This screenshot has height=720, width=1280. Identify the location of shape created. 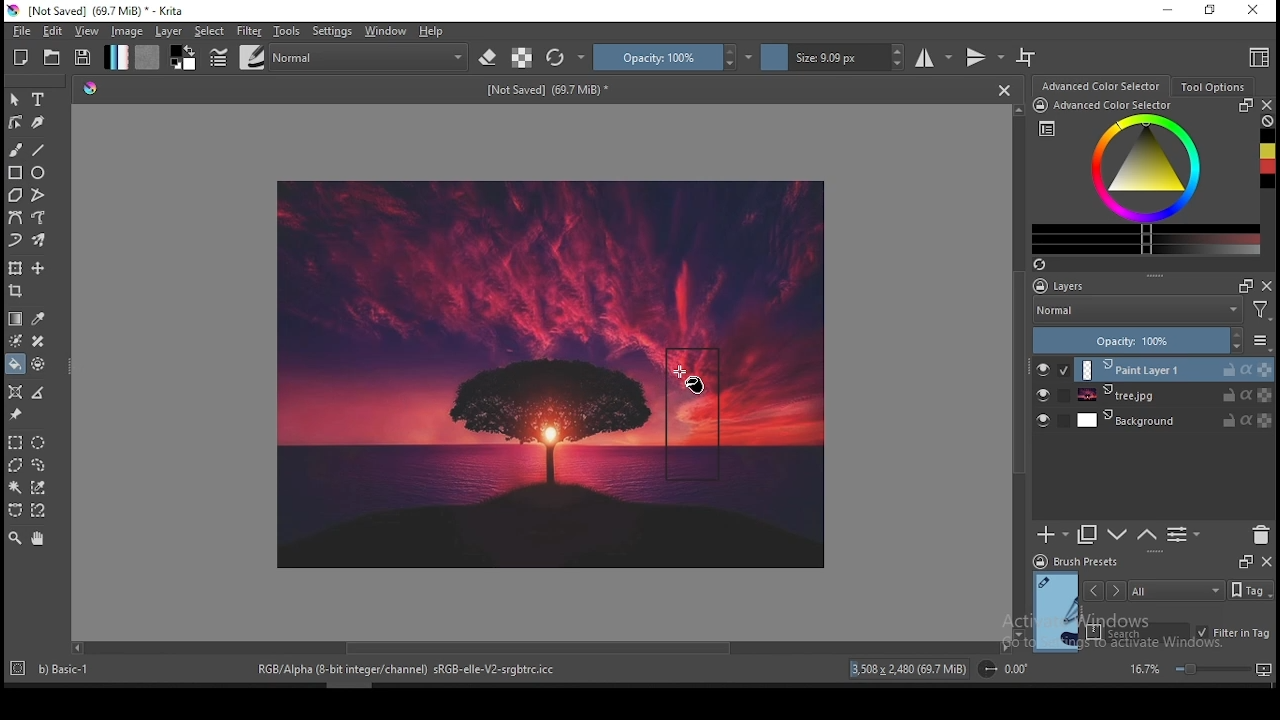
(700, 415).